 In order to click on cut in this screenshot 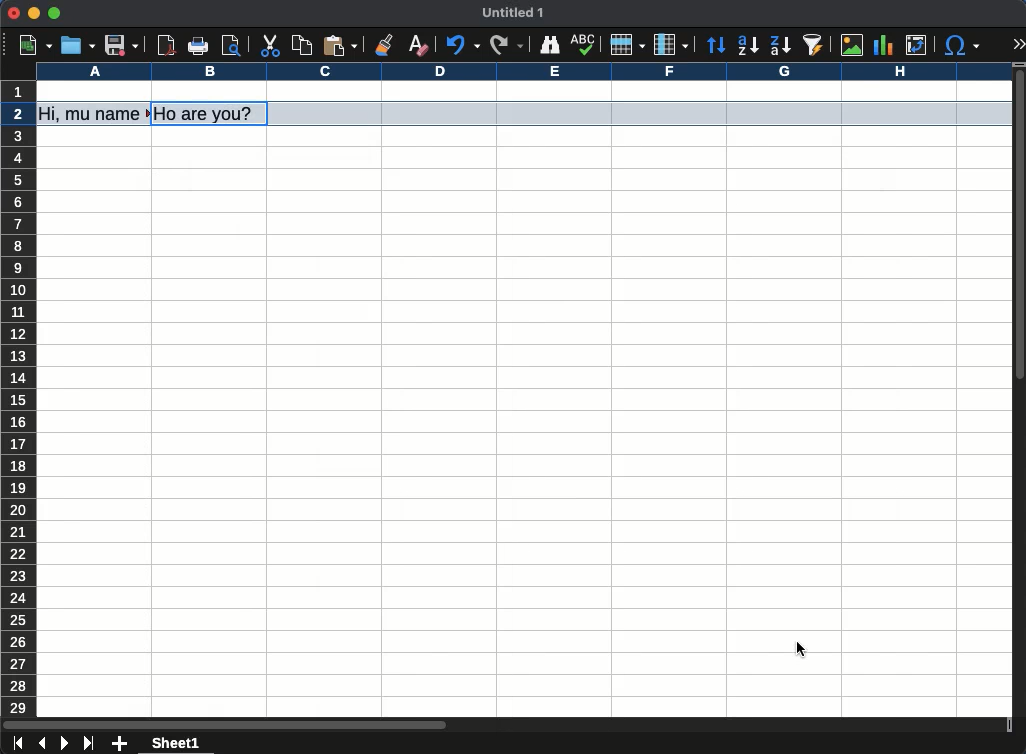, I will do `click(269, 46)`.